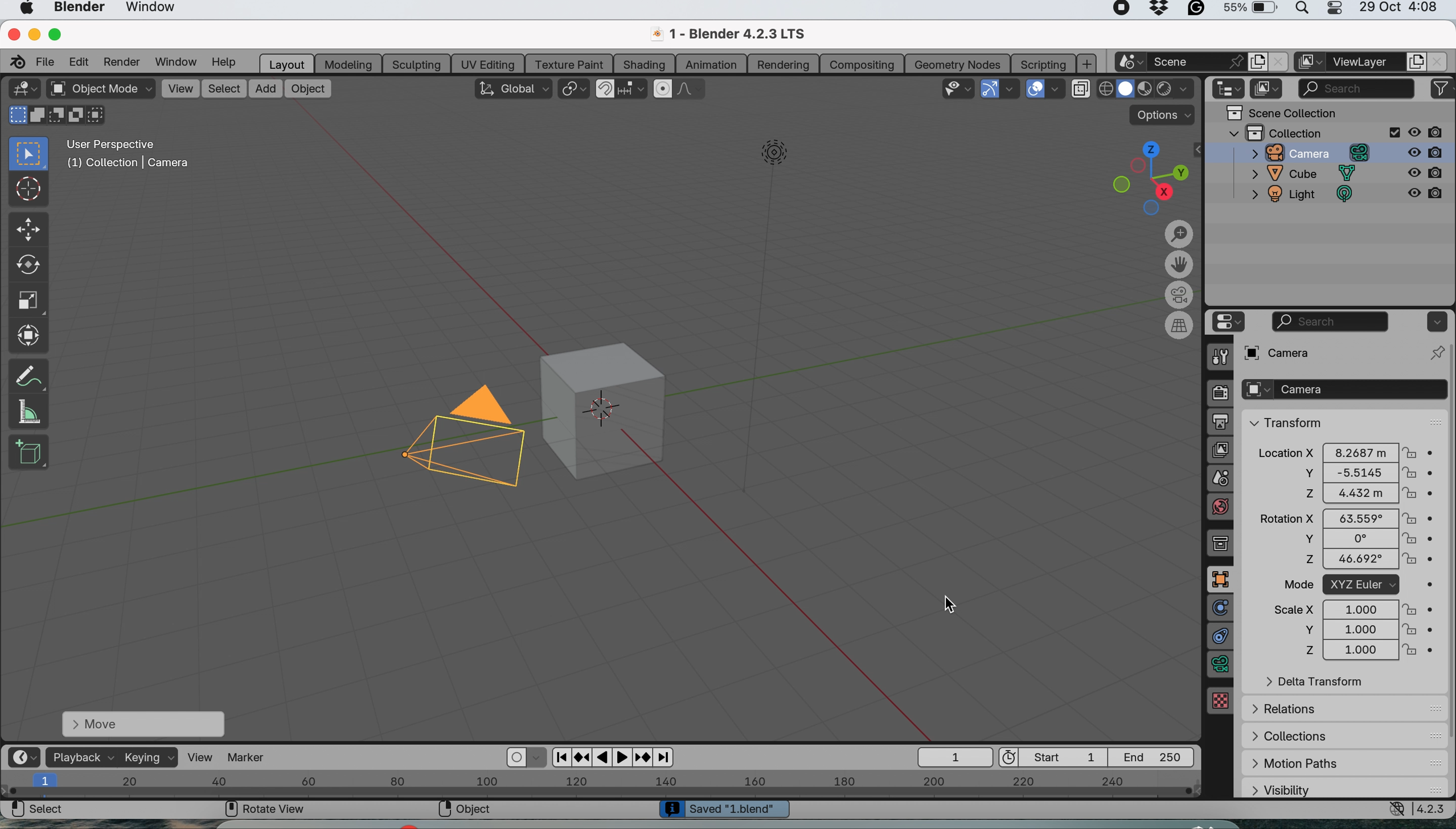 The height and width of the screenshot is (829, 1456). I want to click on collection, so click(1314, 132).